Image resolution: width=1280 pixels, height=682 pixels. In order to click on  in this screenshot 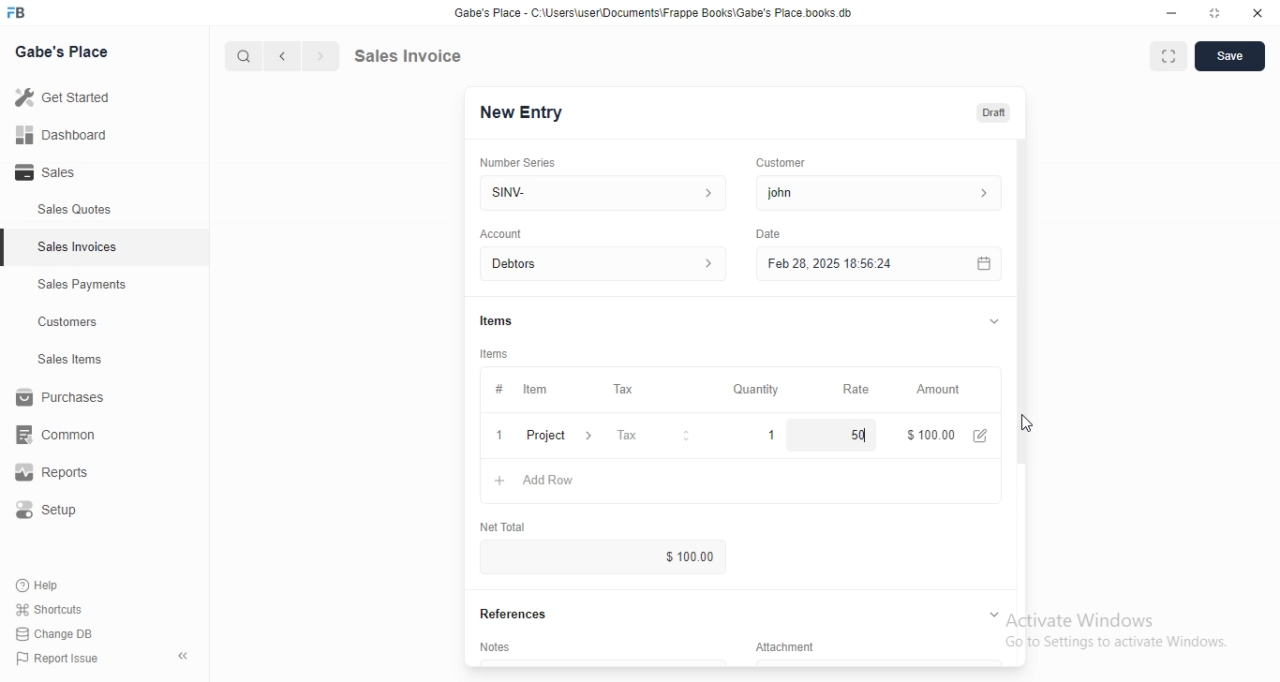, I will do `click(499, 320)`.